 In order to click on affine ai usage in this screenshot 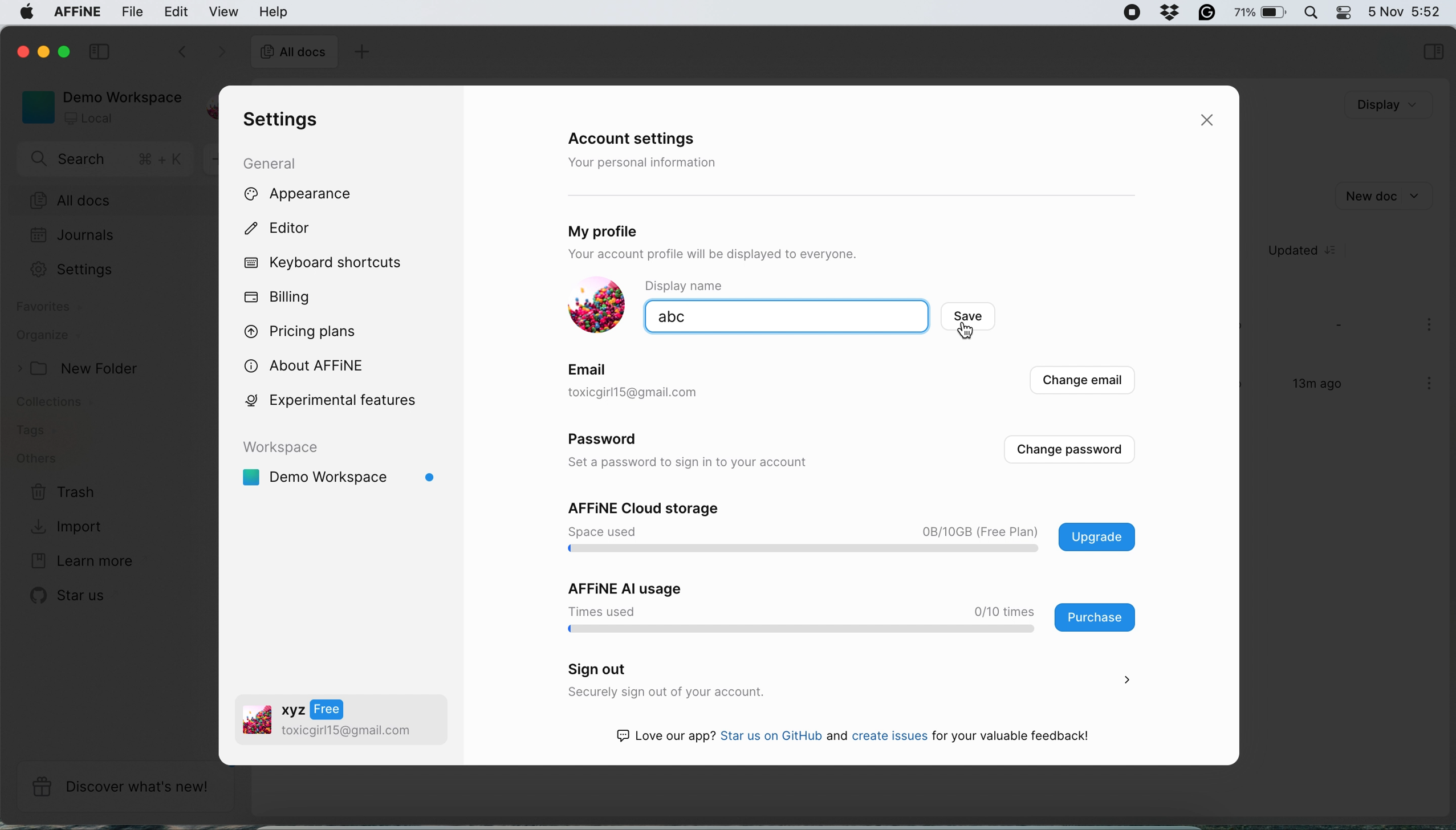, I will do `click(845, 607)`.